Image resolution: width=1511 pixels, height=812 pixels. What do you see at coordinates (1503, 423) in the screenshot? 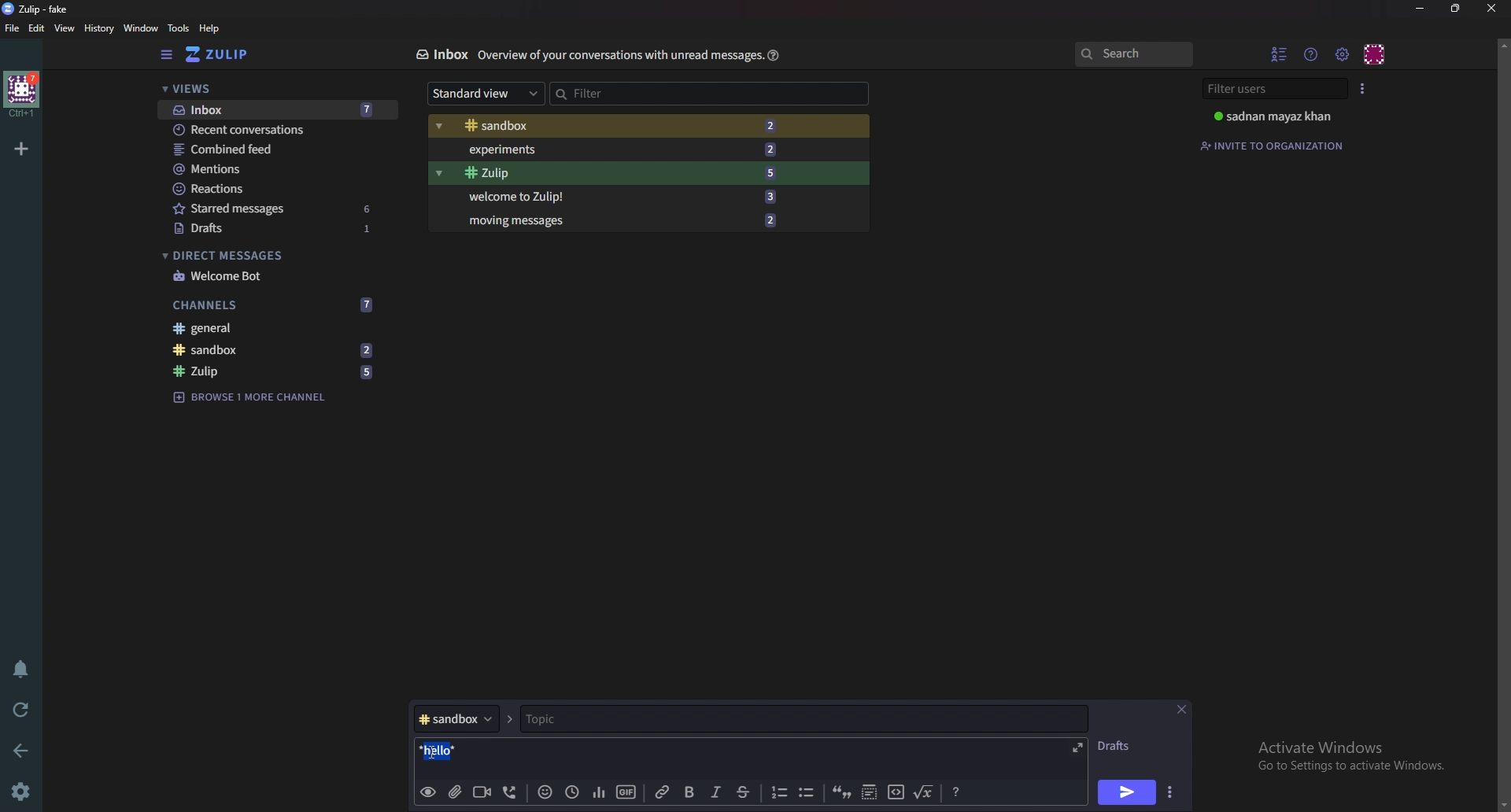
I see `scroll bar` at bounding box center [1503, 423].